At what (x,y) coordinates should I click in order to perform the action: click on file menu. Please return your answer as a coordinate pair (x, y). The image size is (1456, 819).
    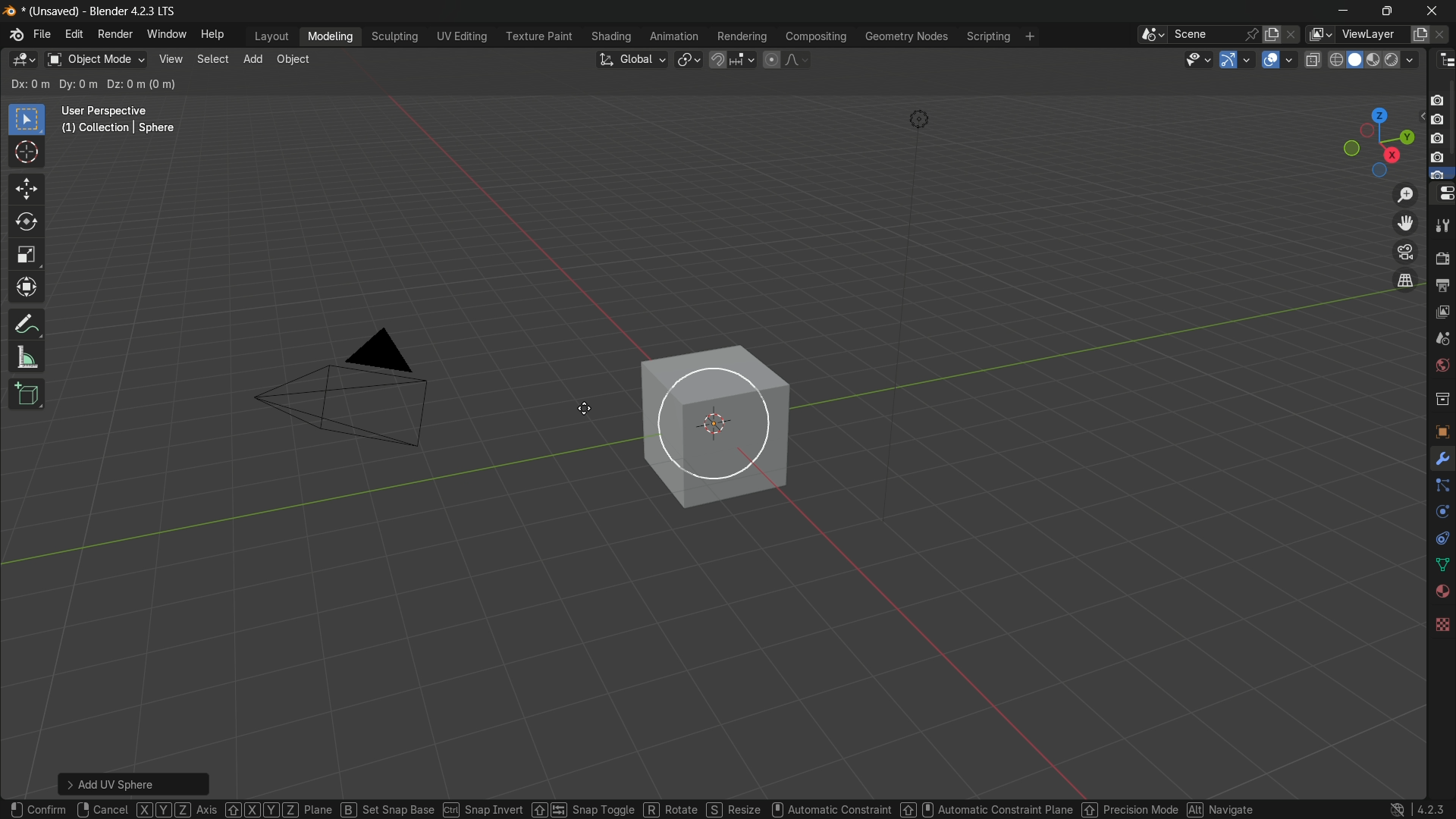
    Looking at the image, I should click on (43, 35).